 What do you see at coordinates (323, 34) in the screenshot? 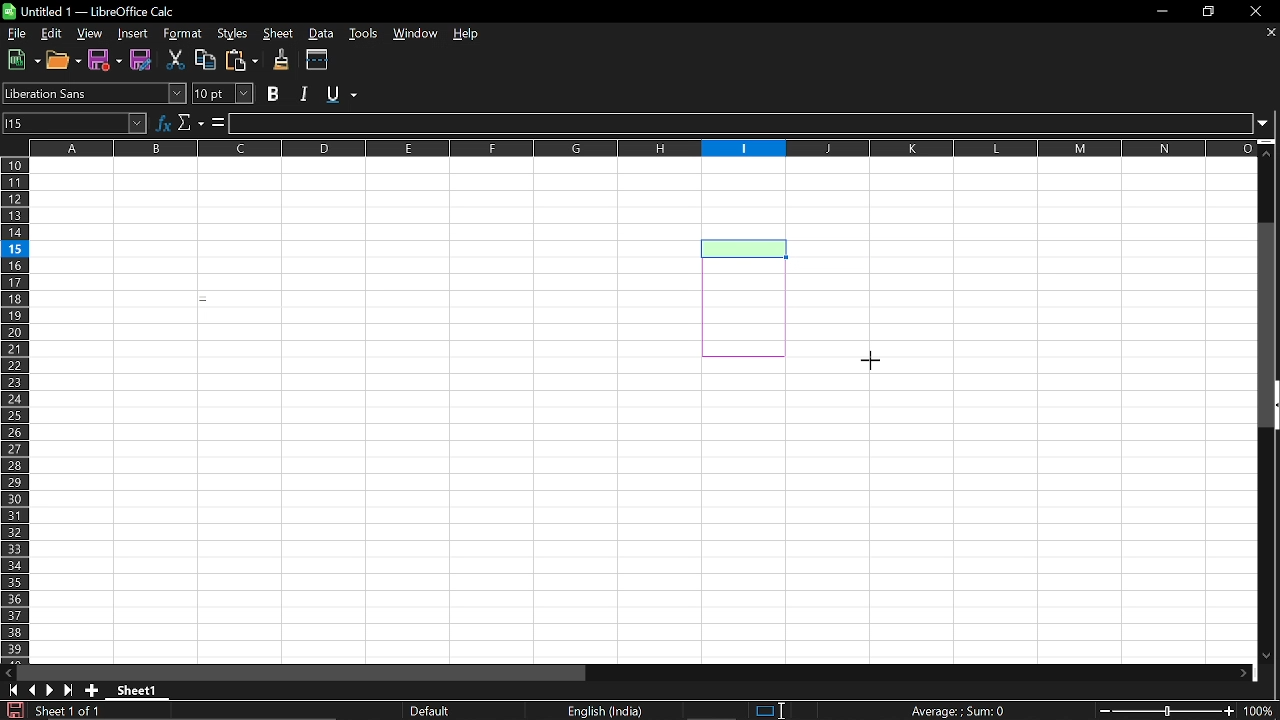
I see `Data` at bounding box center [323, 34].